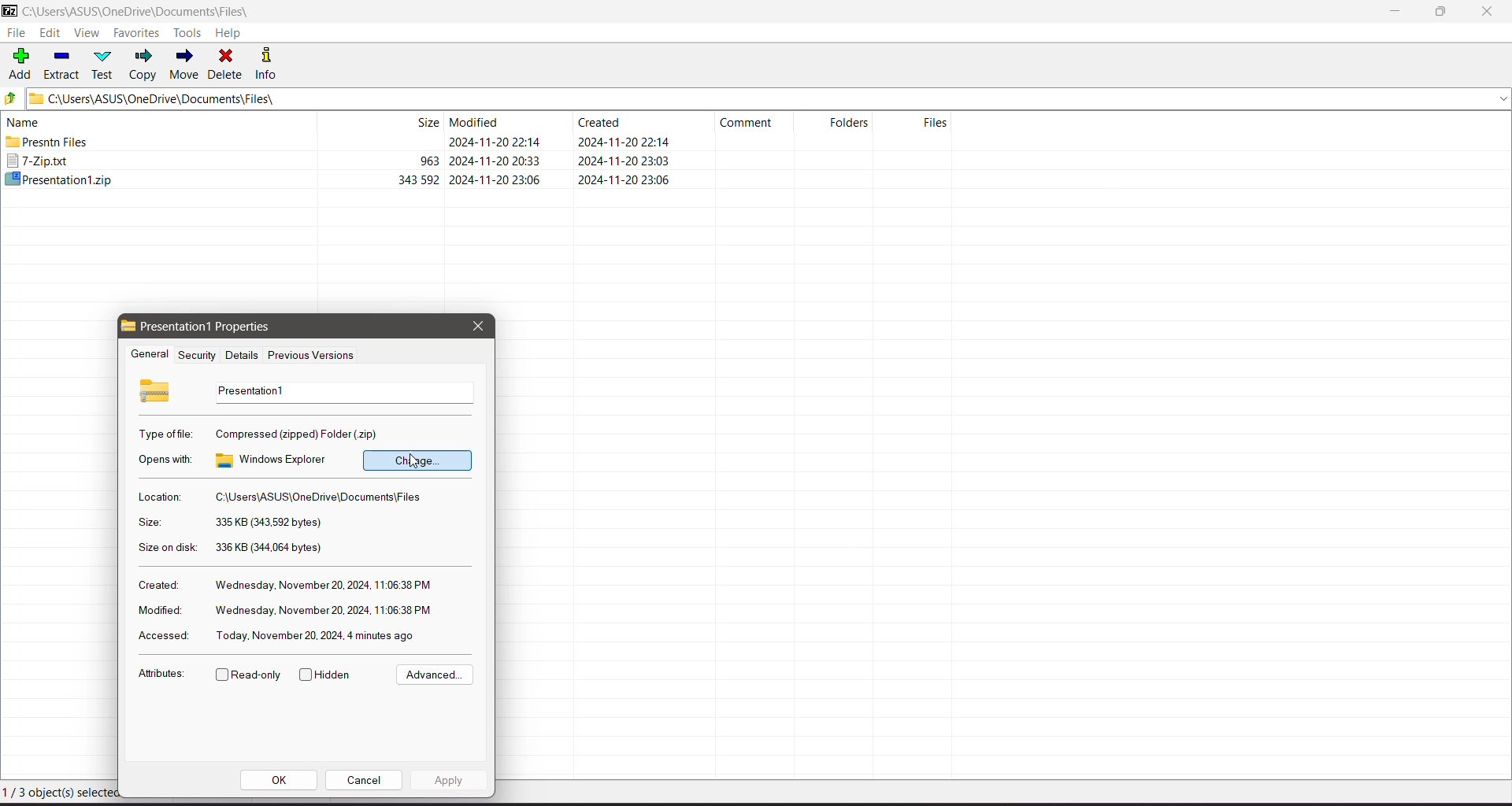 Image resolution: width=1512 pixels, height=806 pixels. What do you see at coordinates (477, 326) in the screenshot?
I see `Close` at bounding box center [477, 326].